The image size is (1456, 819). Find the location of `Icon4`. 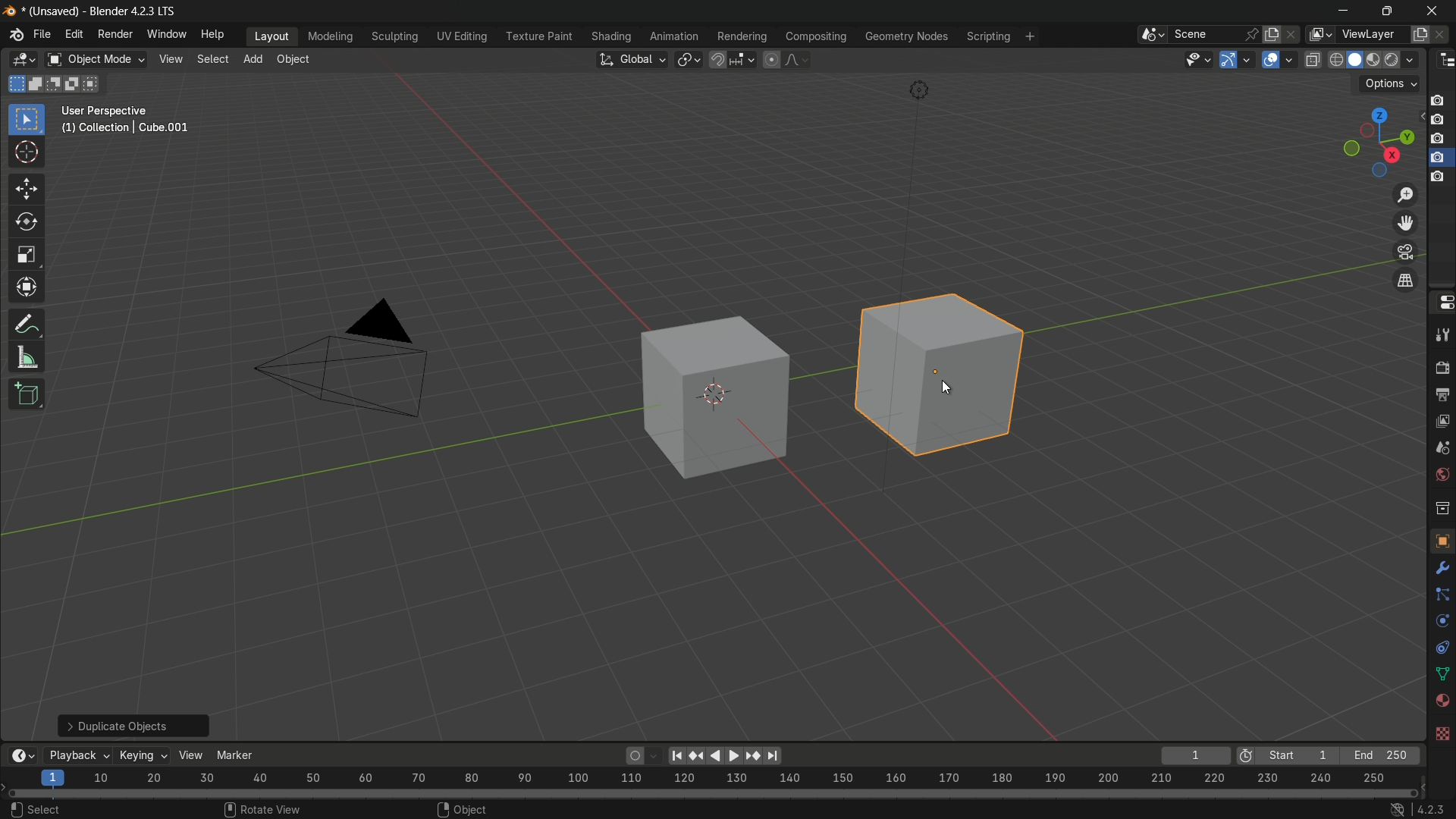

Icon4 is located at coordinates (1439, 171).